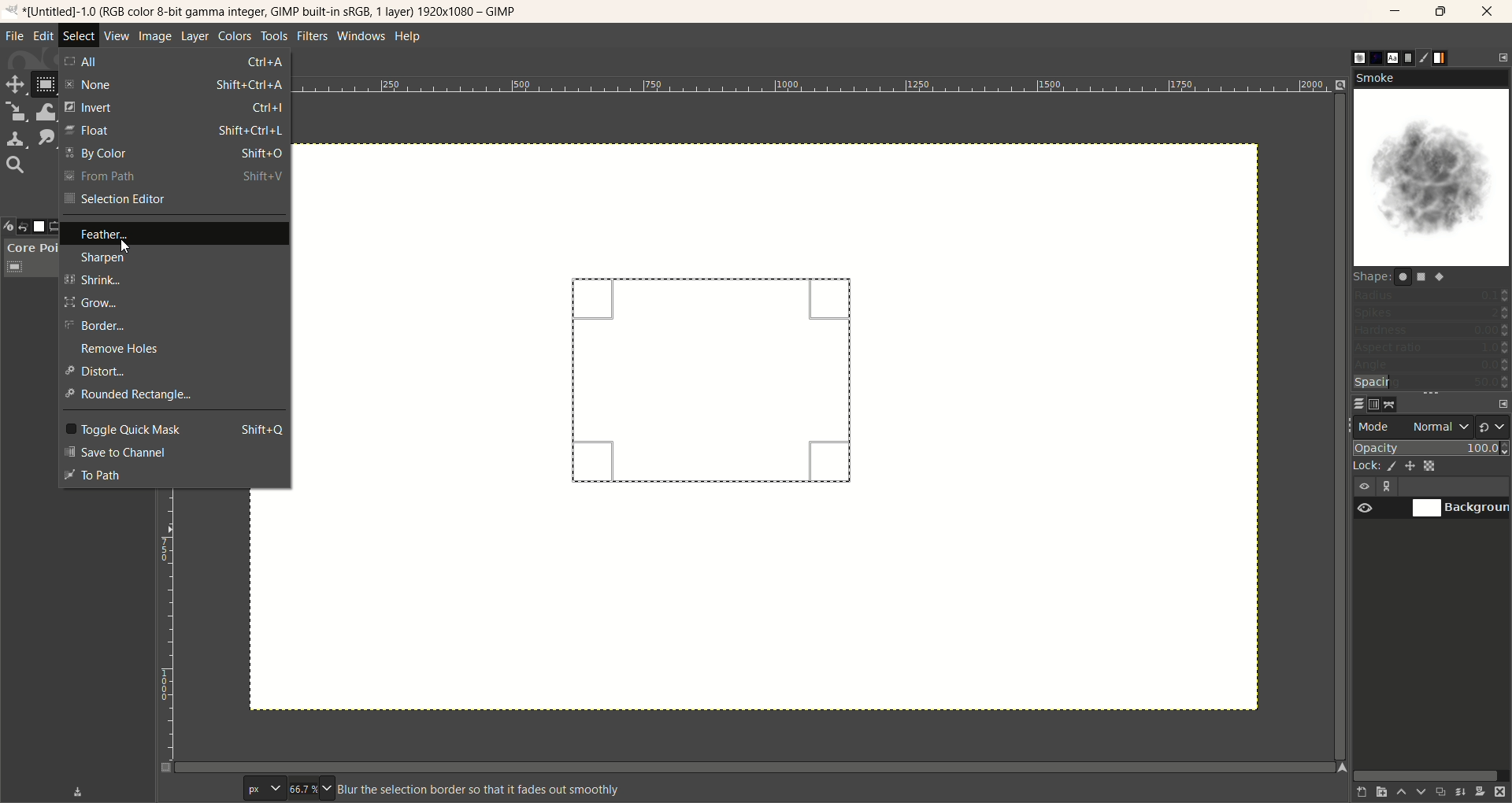 Image resolution: width=1512 pixels, height=803 pixels. I want to click on grow, so click(168, 302).